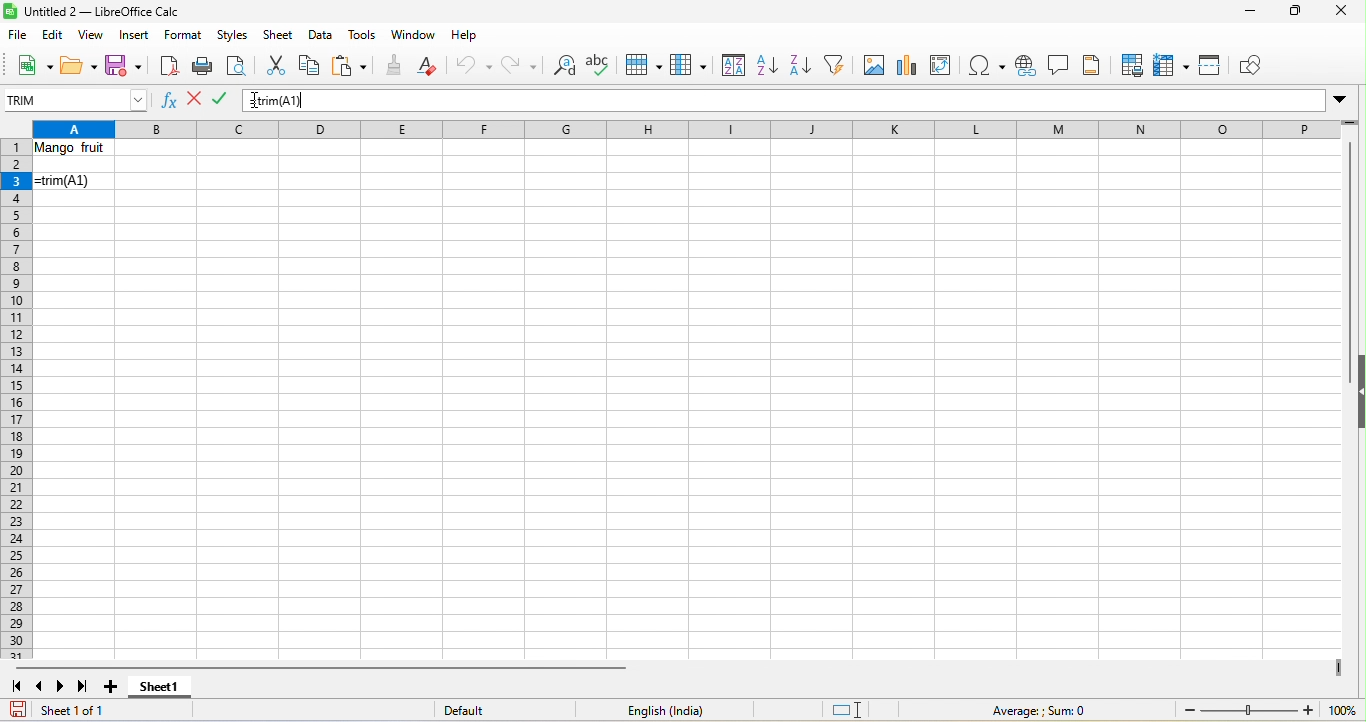 Image resolution: width=1366 pixels, height=722 pixels. Describe the element at coordinates (53, 35) in the screenshot. I see `edit` at that location.